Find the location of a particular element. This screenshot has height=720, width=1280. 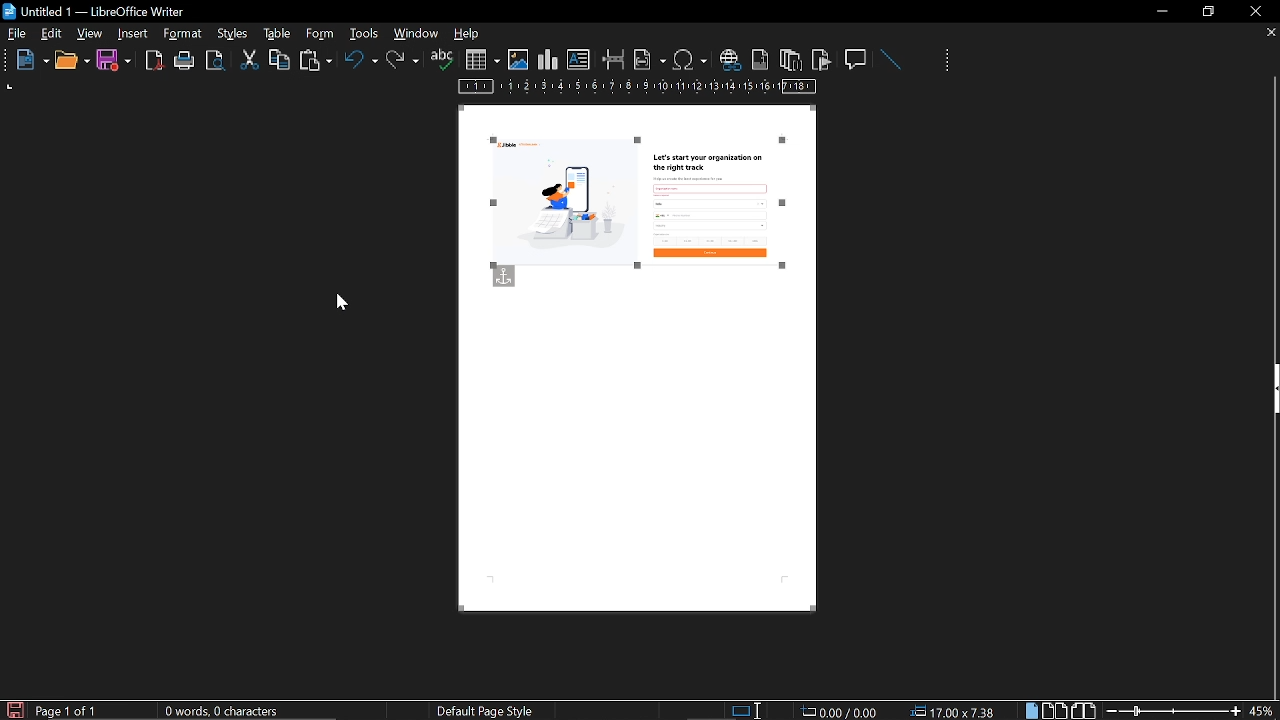

spelling is located at coordinates (442, 60).